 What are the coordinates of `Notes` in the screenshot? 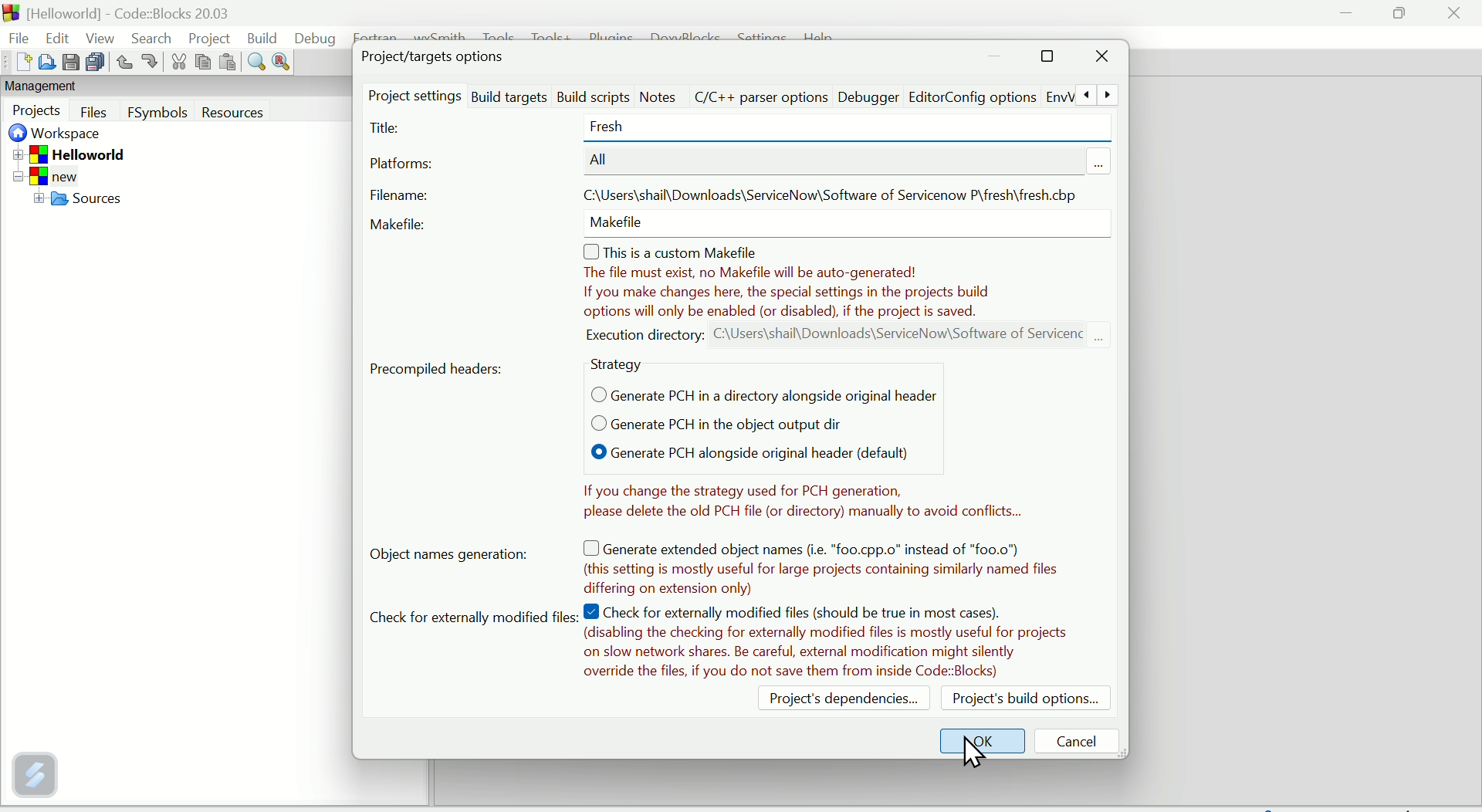 It's located at (796, 499).